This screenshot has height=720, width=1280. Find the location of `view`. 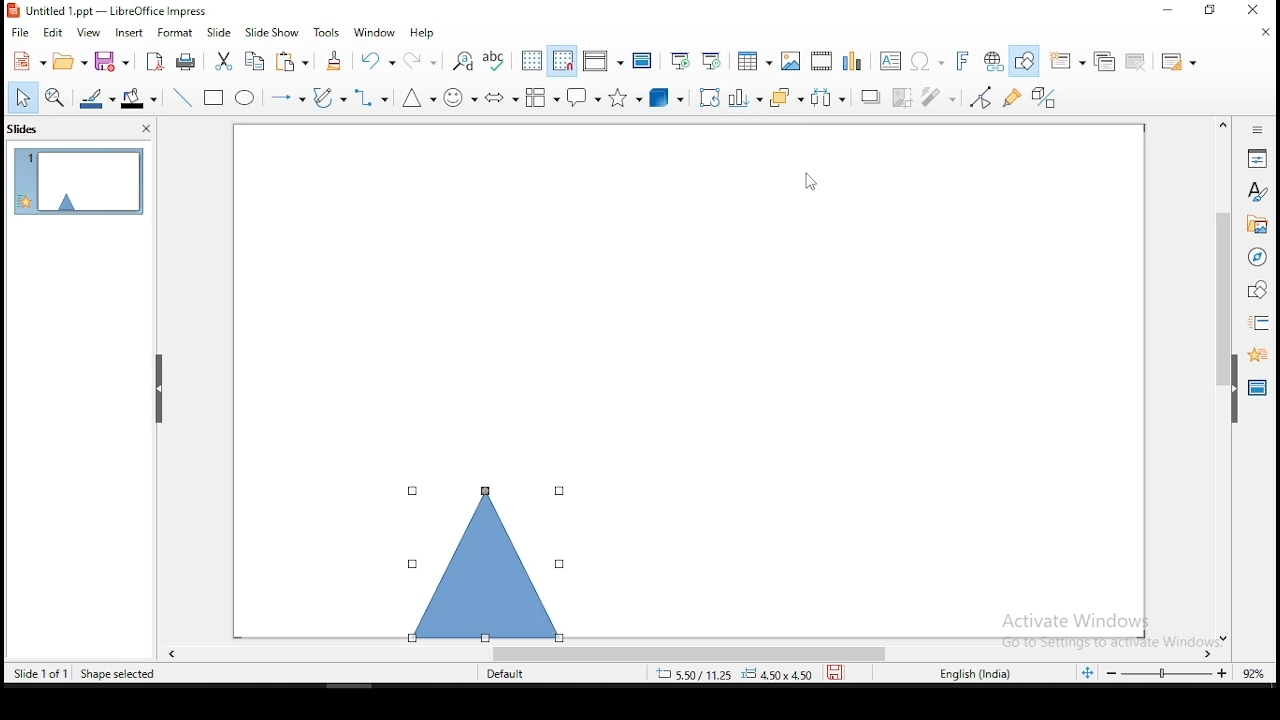

view is located at coordinates (91, 34).